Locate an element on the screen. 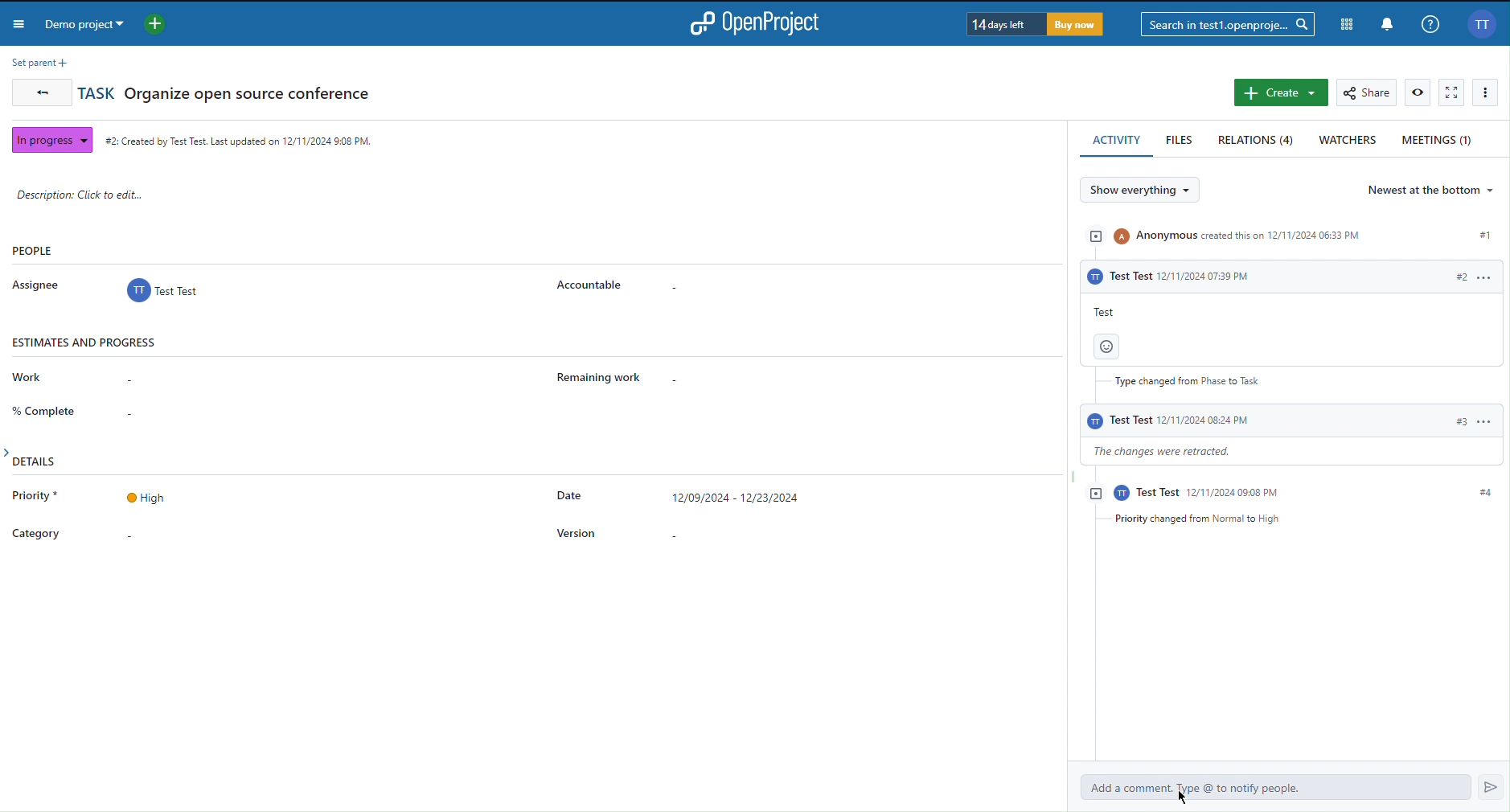  Files is located at coordinates (1181, 141).